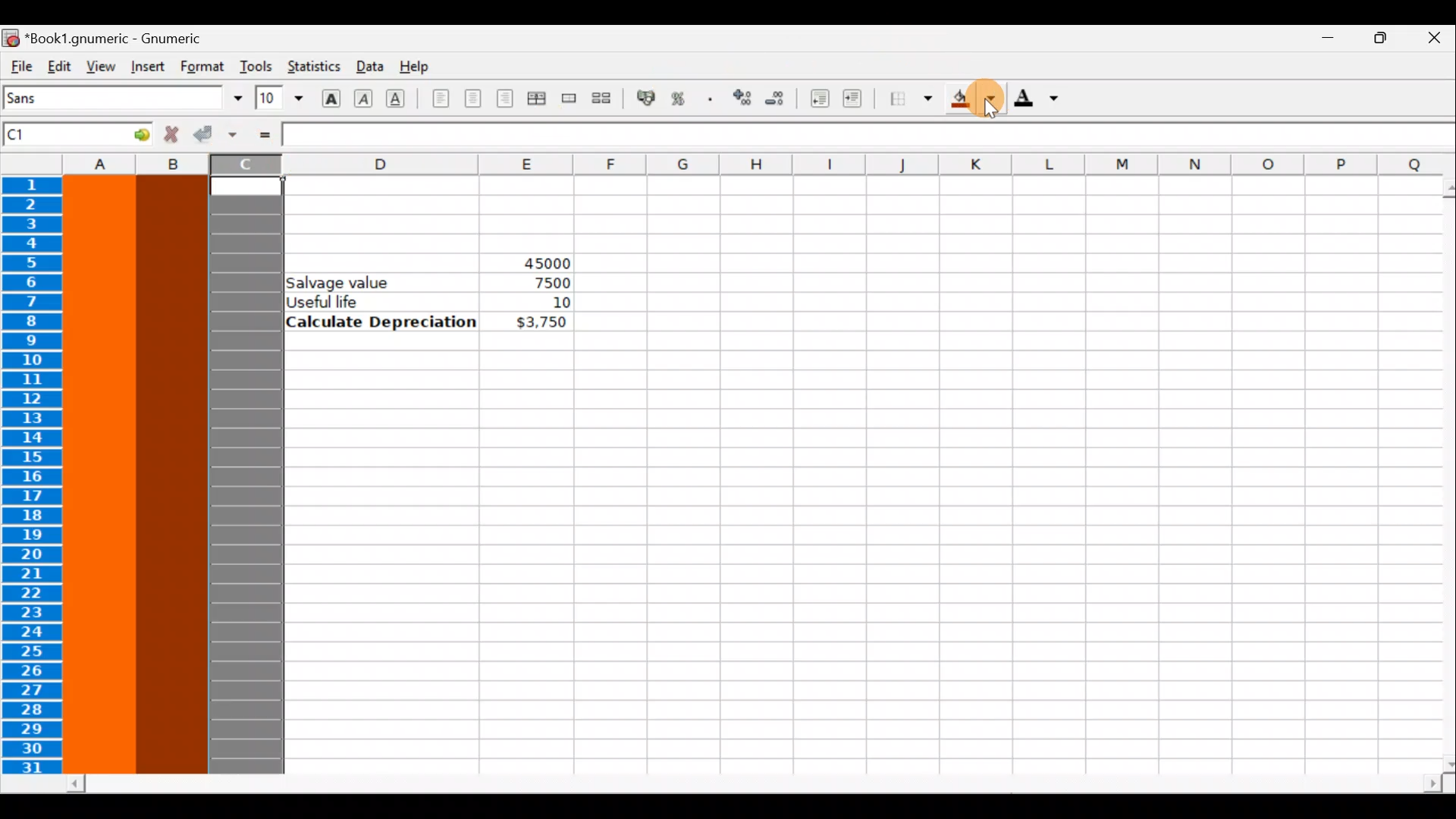 The height and width of the screenshot is (819, 1456). Describe the element at coordinates (871, 136) in the screenshot. I see `Formula bar` at that location.